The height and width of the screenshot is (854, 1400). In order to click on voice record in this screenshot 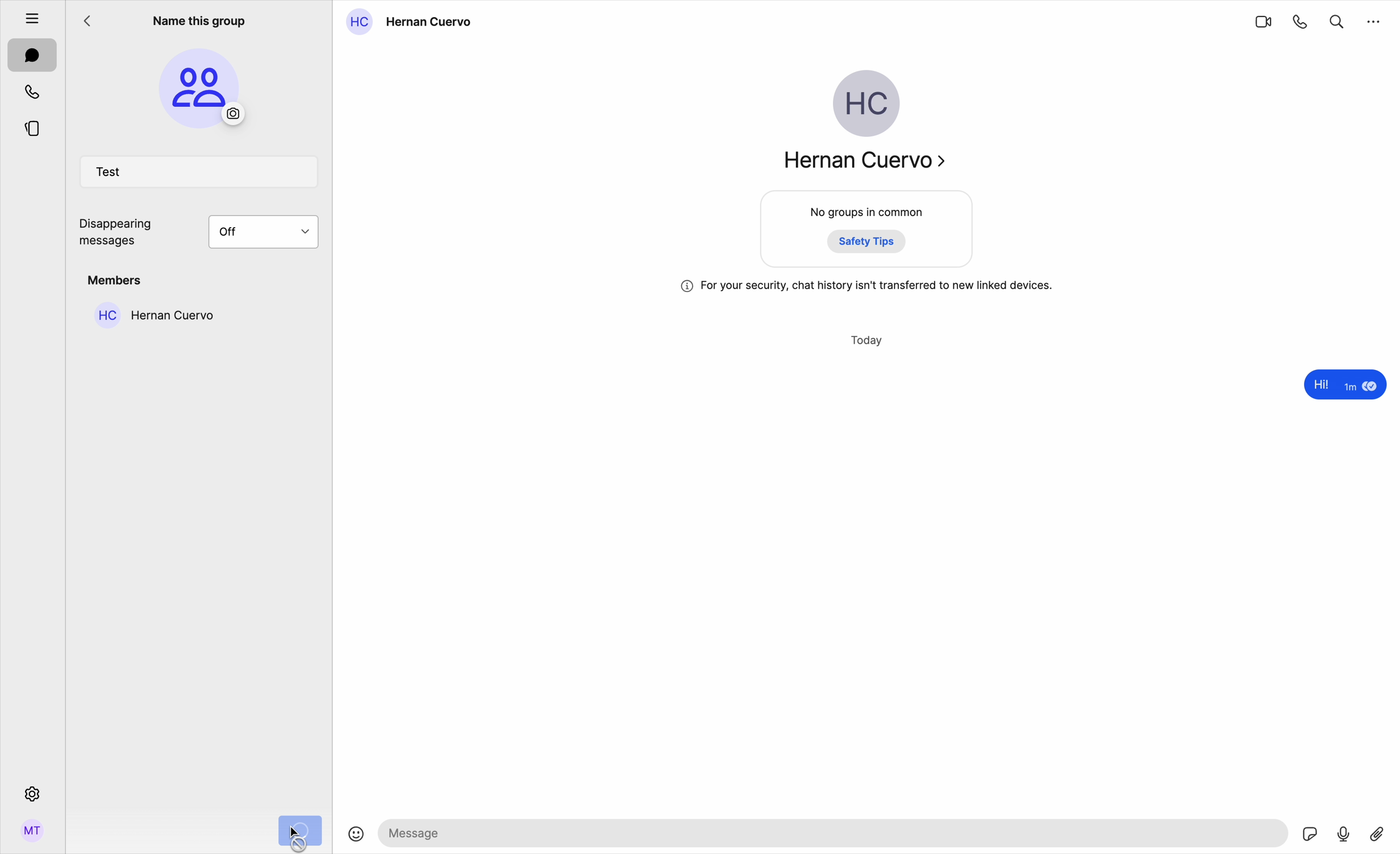, I will do `click(1344, 832)`.